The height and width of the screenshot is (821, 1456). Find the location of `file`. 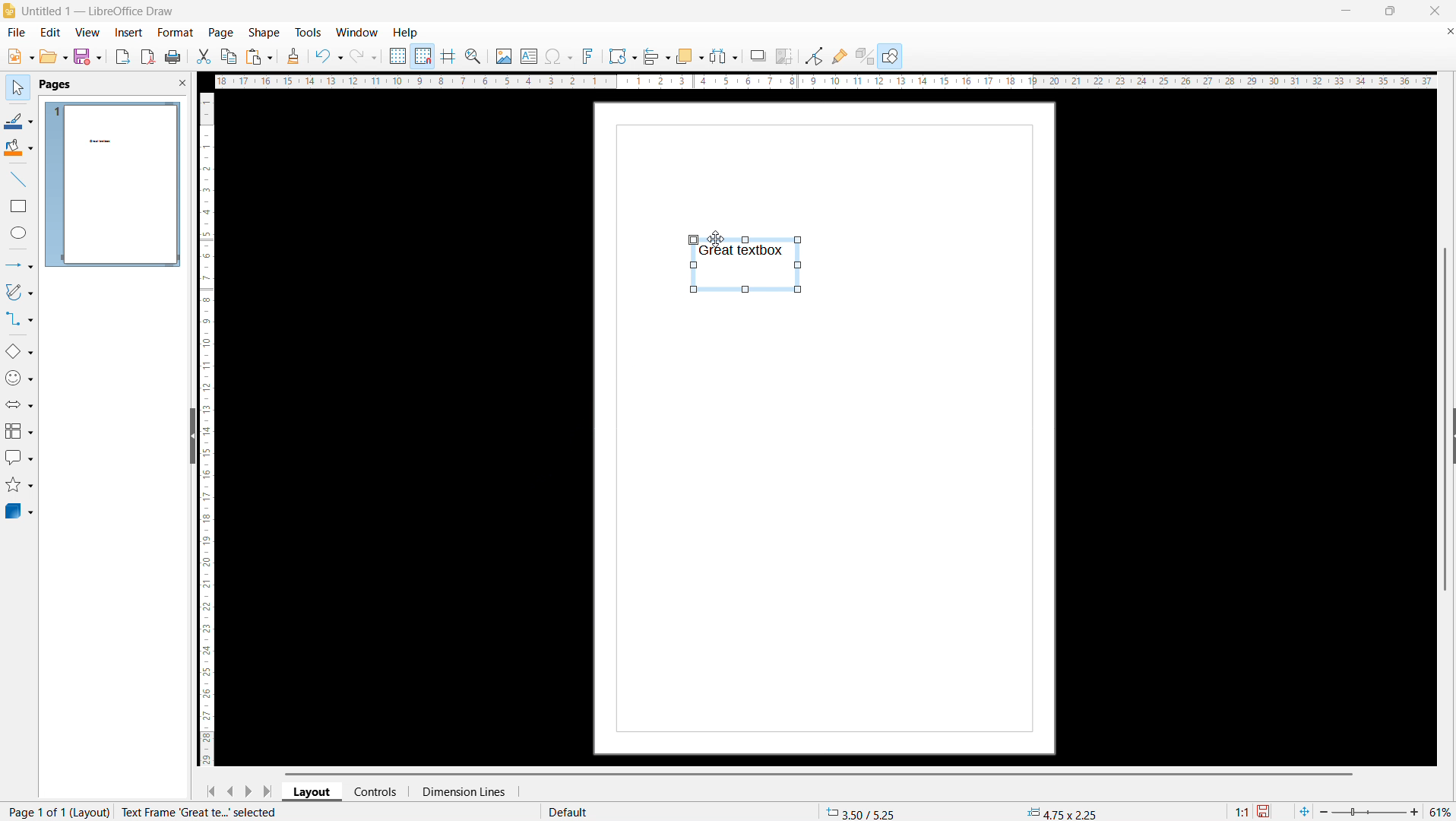

file is located at coordinates (15, 33).